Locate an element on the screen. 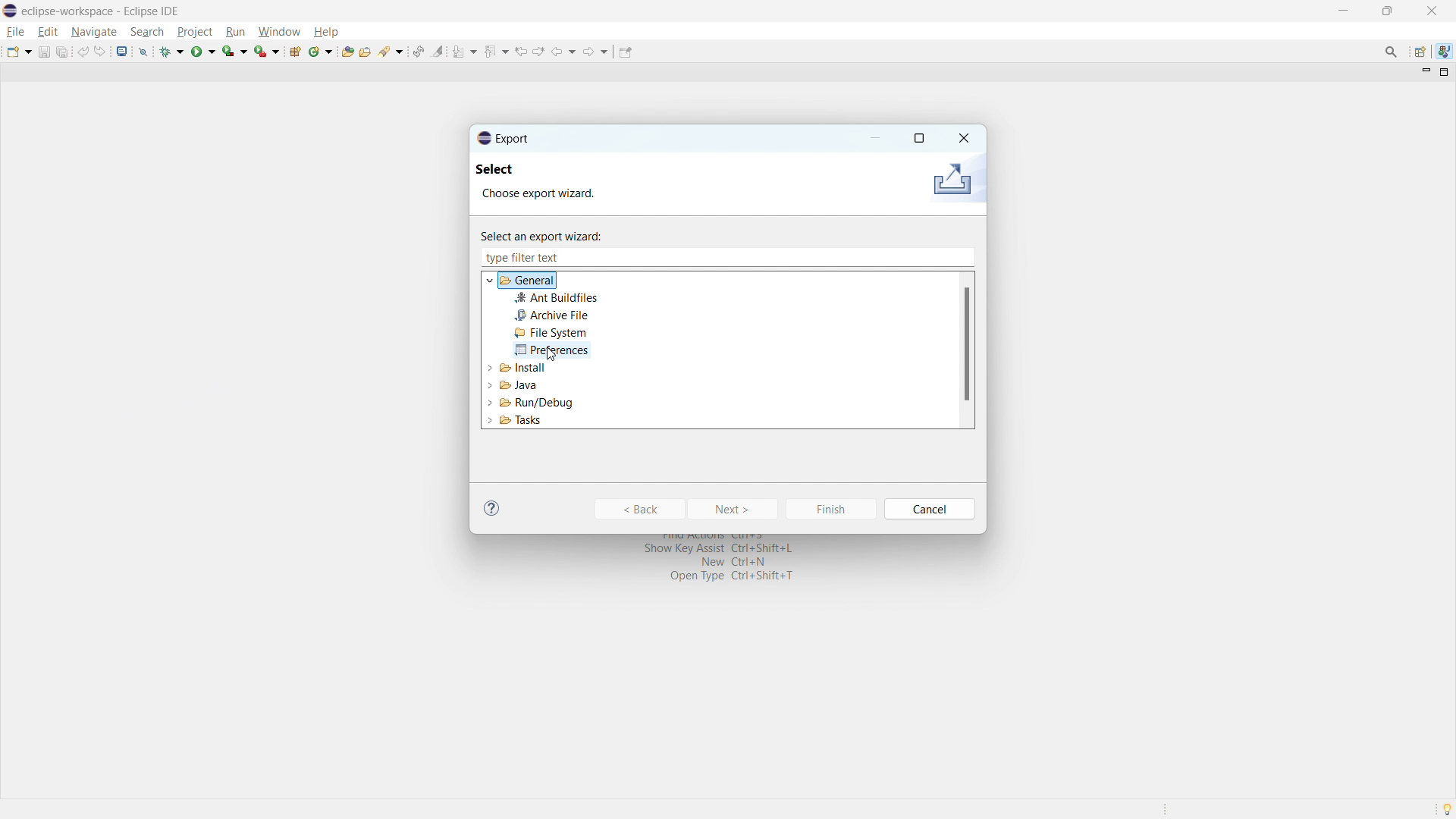 The width and height of the screenshot is (1456, 819). Choose export wizard is located at coordinates (552, 195).